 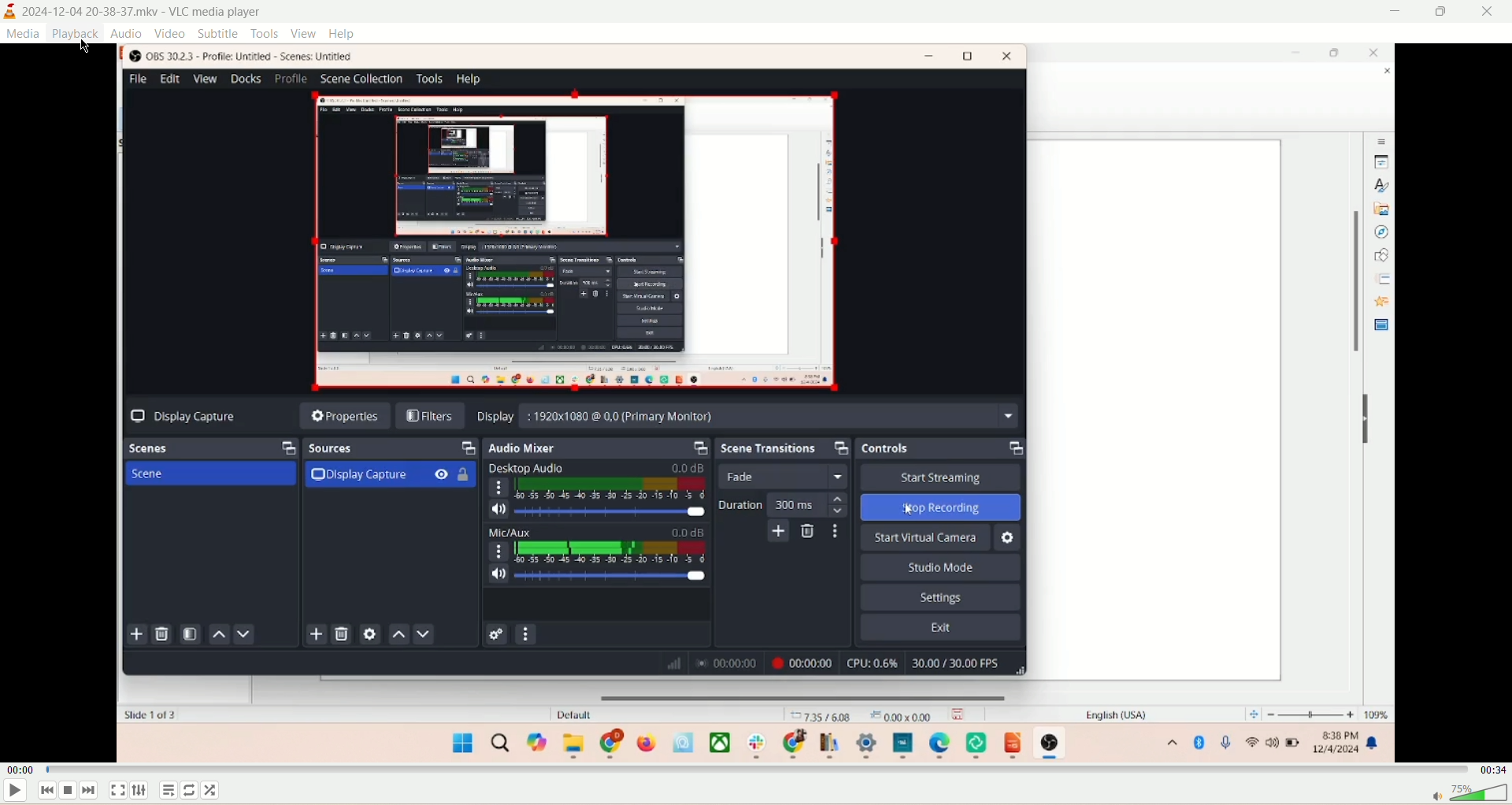 What do you see at coordinates (16, 793) in the screenshot?
I see `play/pause` at bounding box center [16, 793].